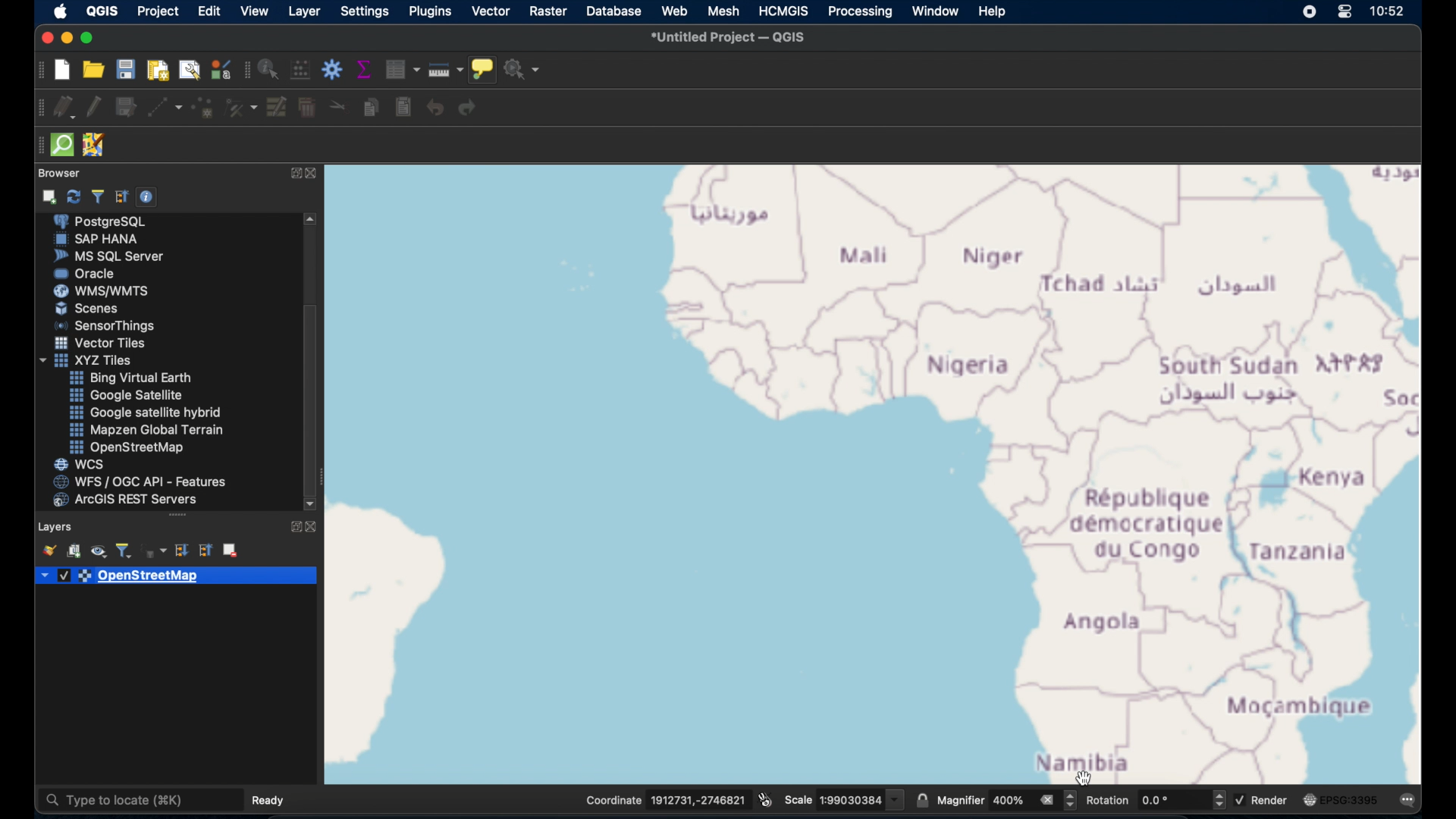  What do you see at coordinates (844, 797) in the screenshot?
I see `Scale 1:99030334` at bounding box center [844, 797].